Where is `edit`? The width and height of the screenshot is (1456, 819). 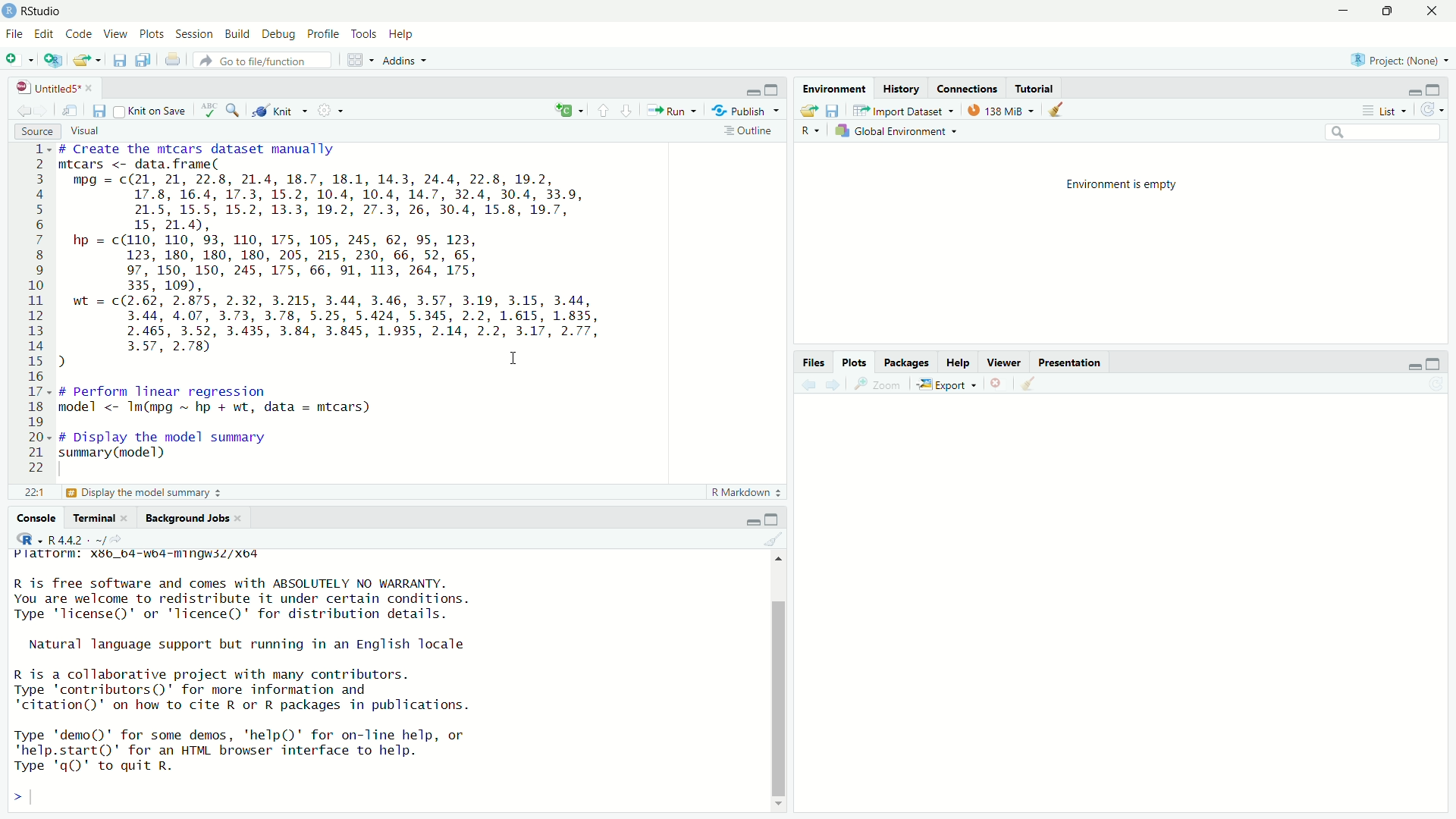
edit is located at coordinates (43, 34).